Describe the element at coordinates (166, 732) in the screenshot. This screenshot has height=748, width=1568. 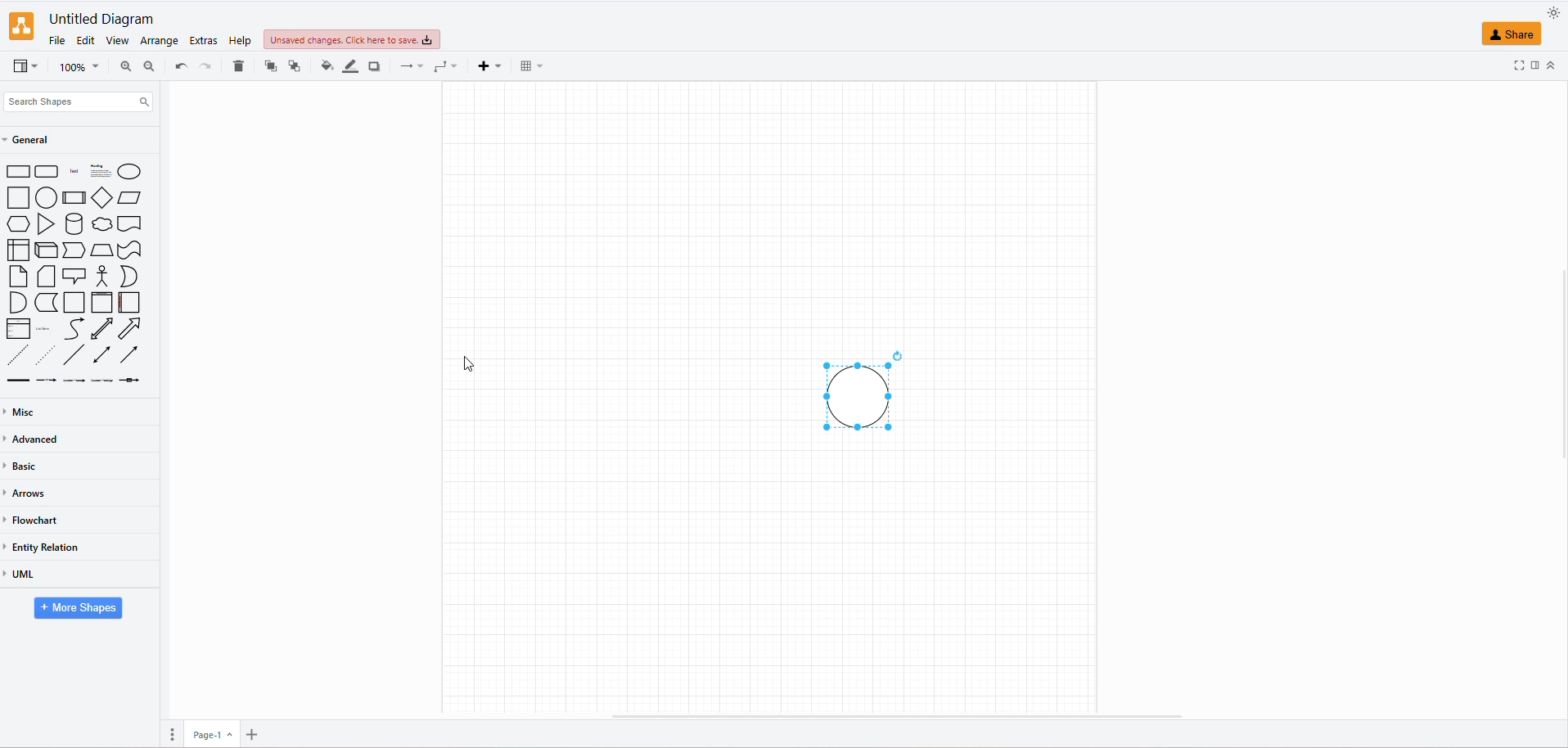
I see `PAGES` at that location.